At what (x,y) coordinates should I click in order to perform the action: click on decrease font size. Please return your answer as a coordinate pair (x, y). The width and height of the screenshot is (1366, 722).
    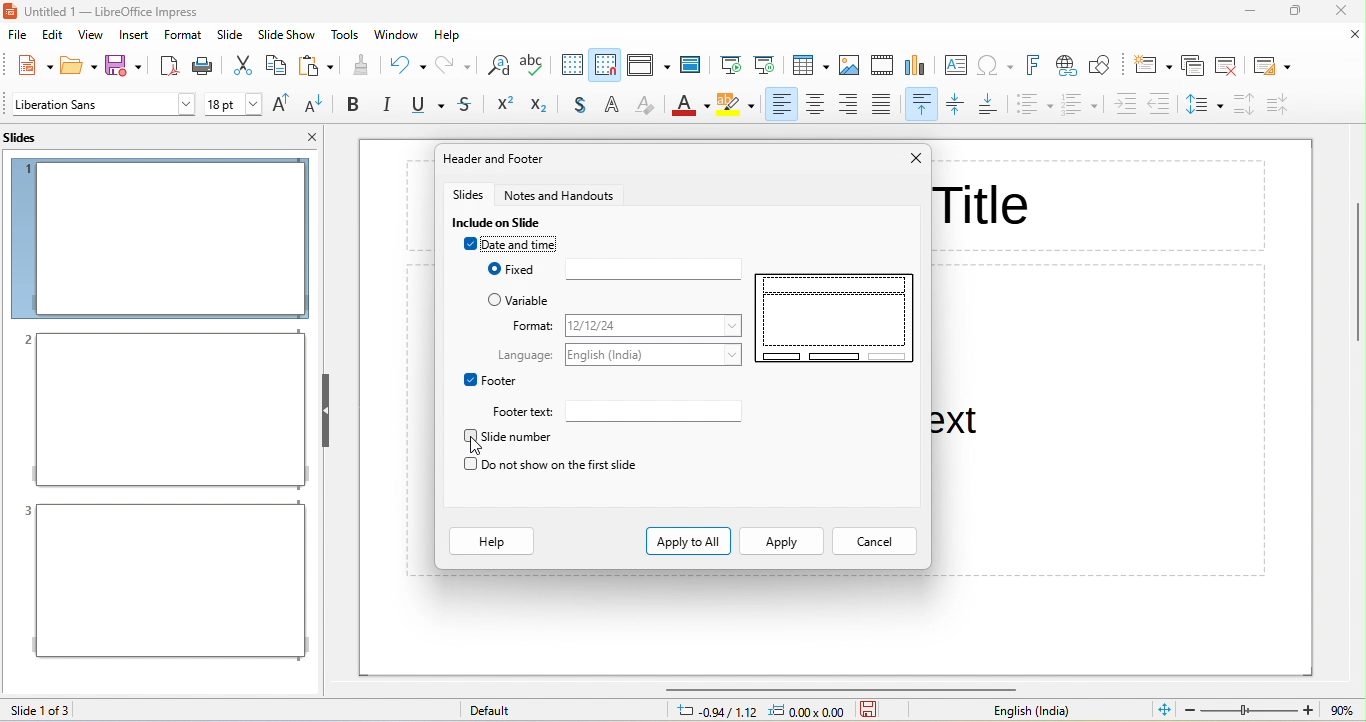
    Looking at the image, I should click on (317, 105).